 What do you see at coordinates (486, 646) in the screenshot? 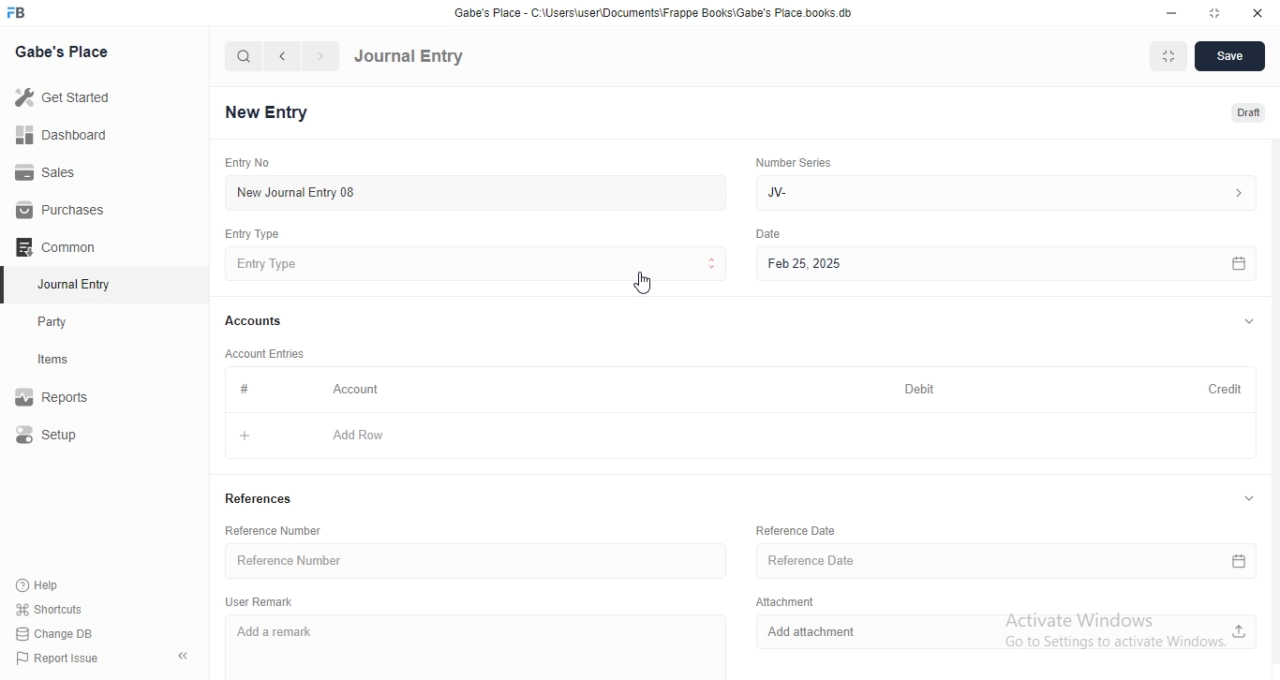
I see `Add a remark` at bounding box center [486, 646].